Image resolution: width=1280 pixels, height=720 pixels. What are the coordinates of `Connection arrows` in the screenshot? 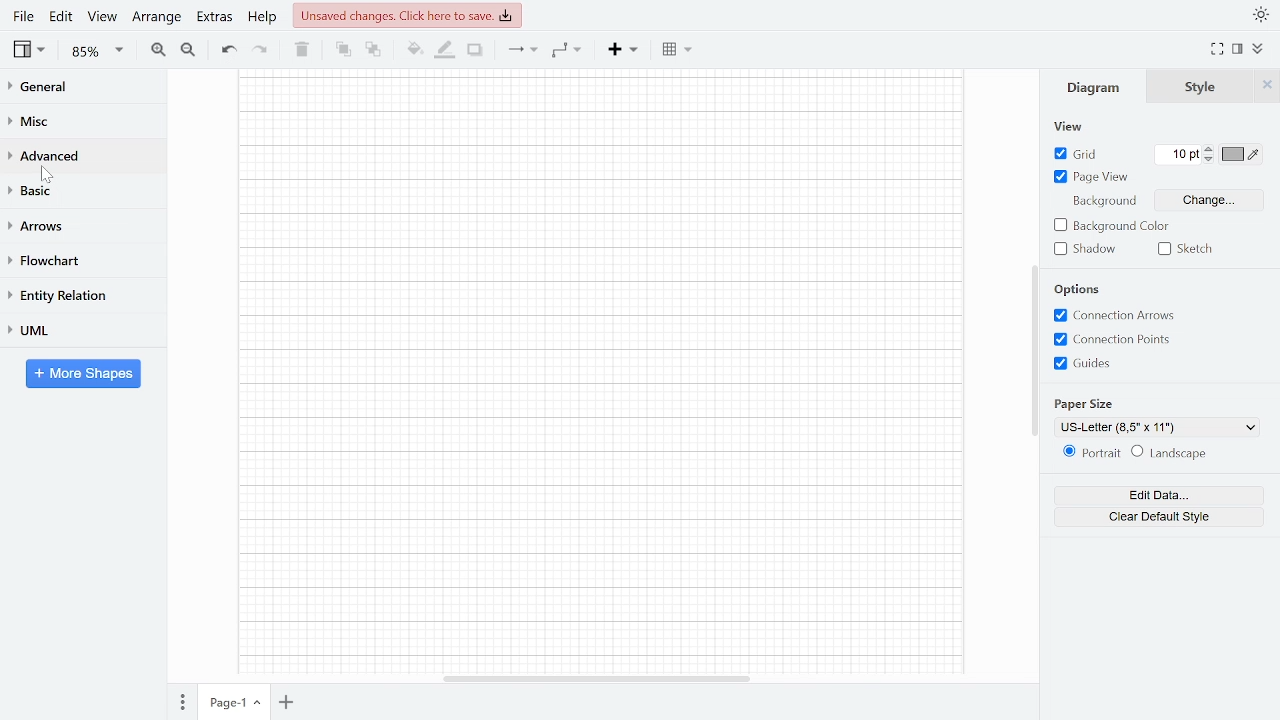 It's located at (1114, 317).